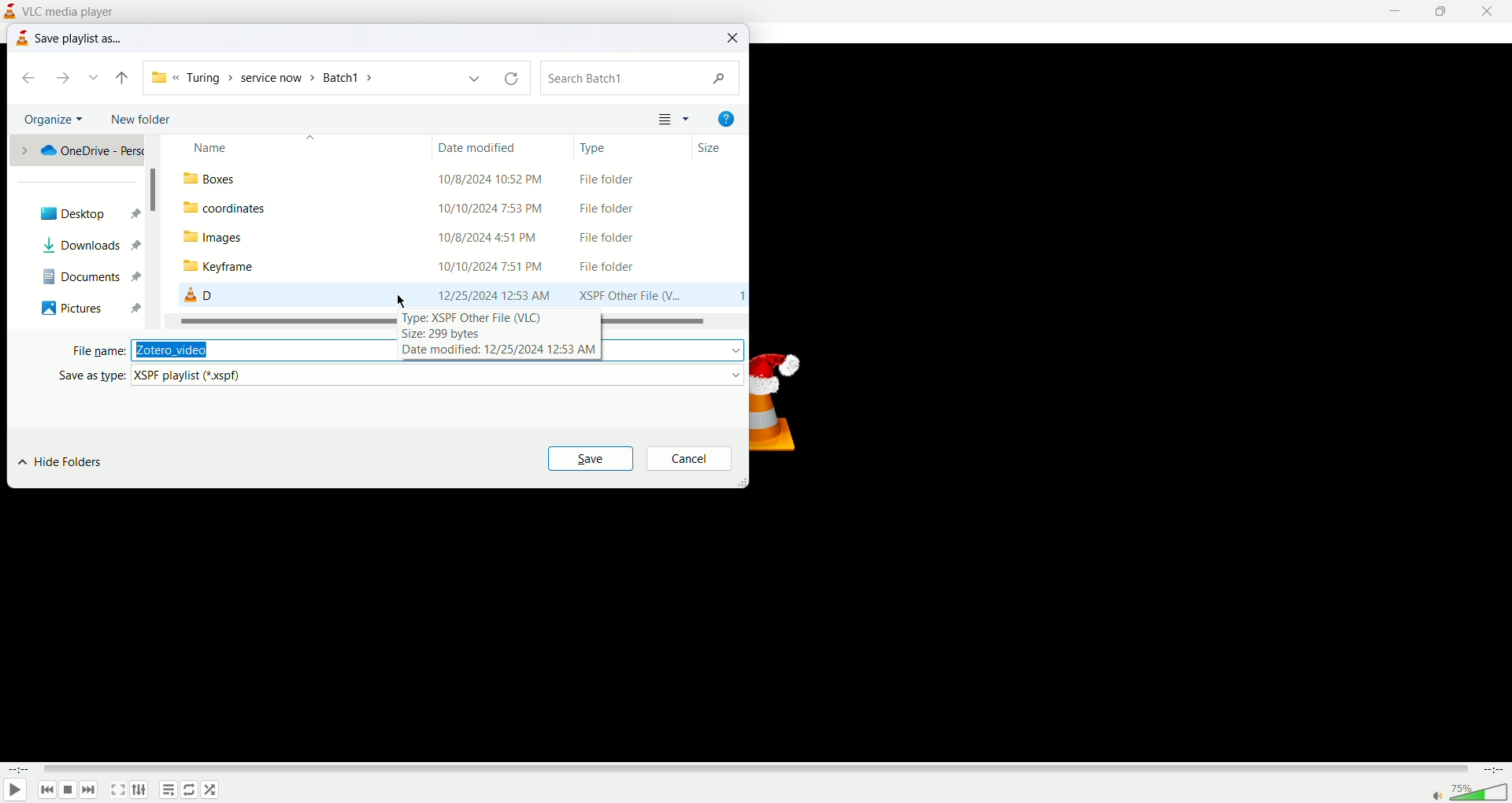 The width and height of the screenshot is (1512, 803). Describe the element at coordinates (168, 790) in the screenshot. I see `playlist` at that location.